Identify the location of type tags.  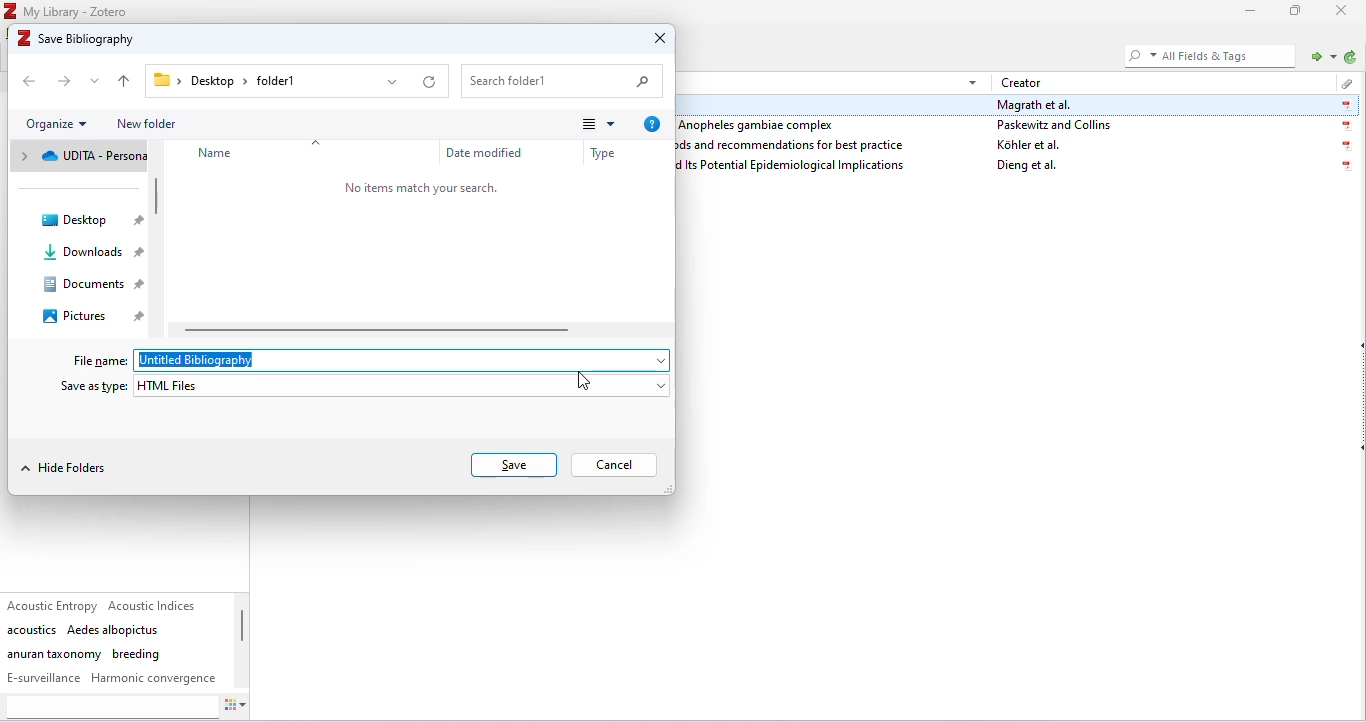
(111, 707).